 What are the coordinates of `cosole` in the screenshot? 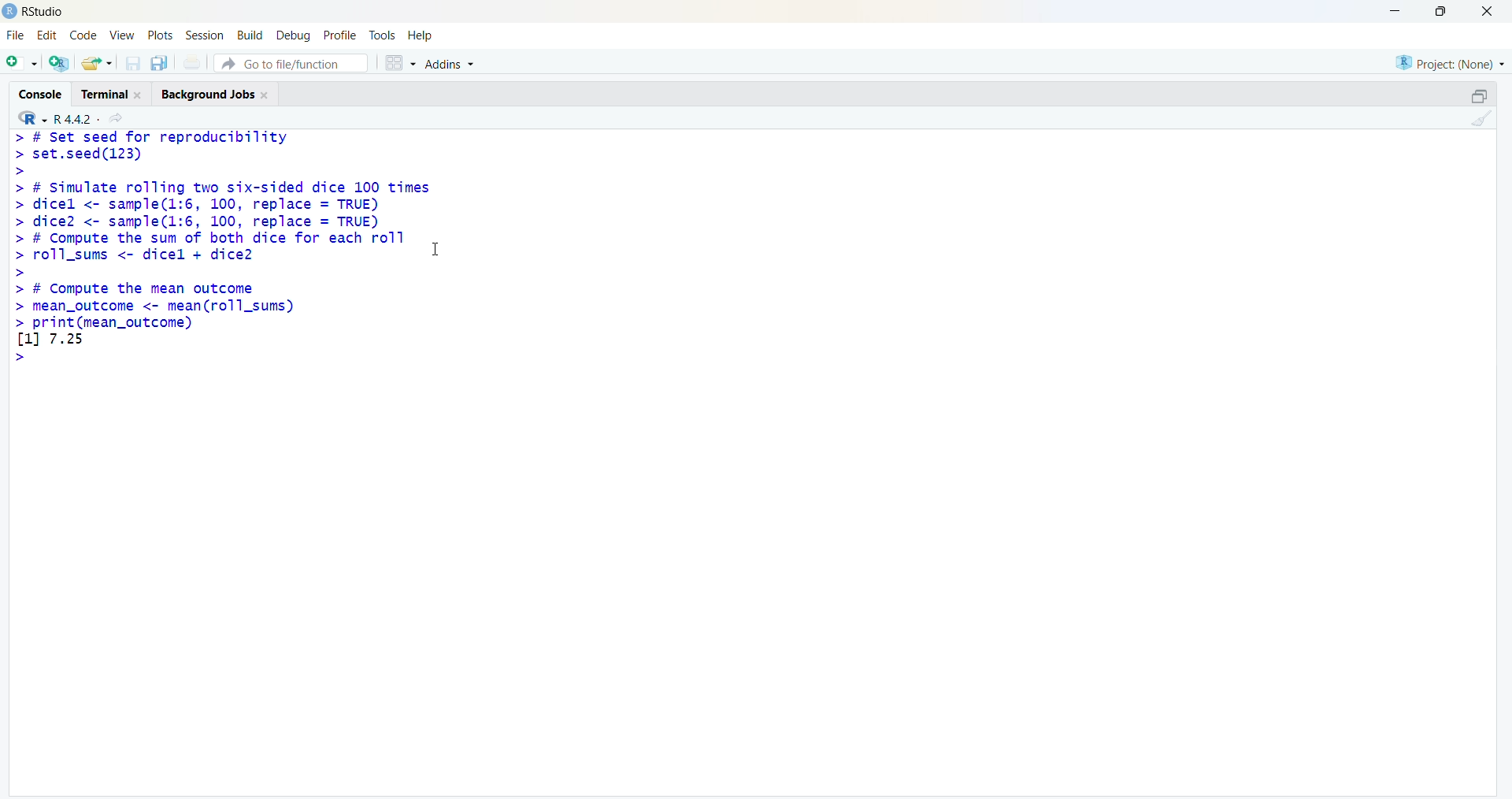 It's located at (40, 95).